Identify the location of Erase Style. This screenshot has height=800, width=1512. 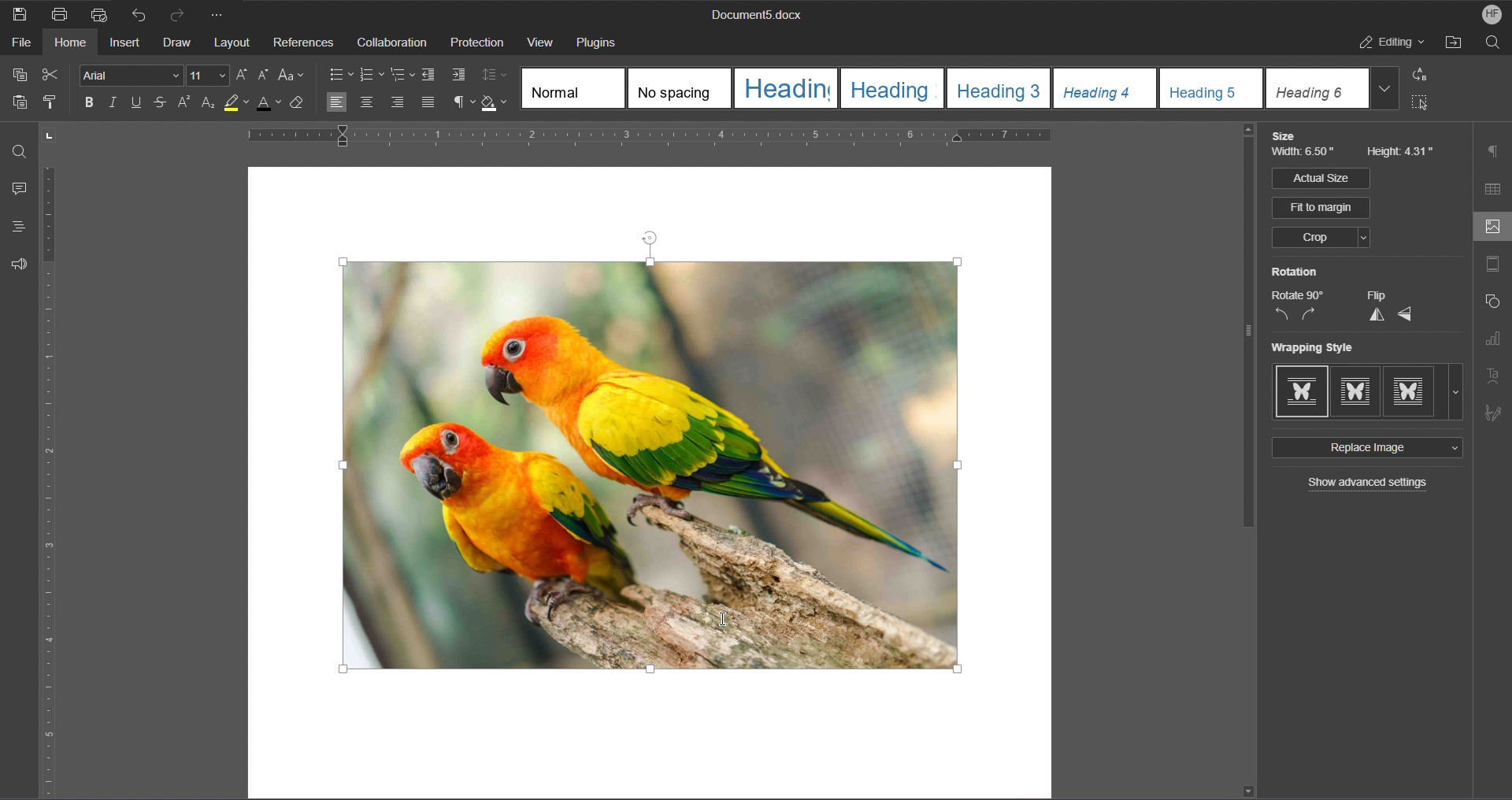
(306, 107).